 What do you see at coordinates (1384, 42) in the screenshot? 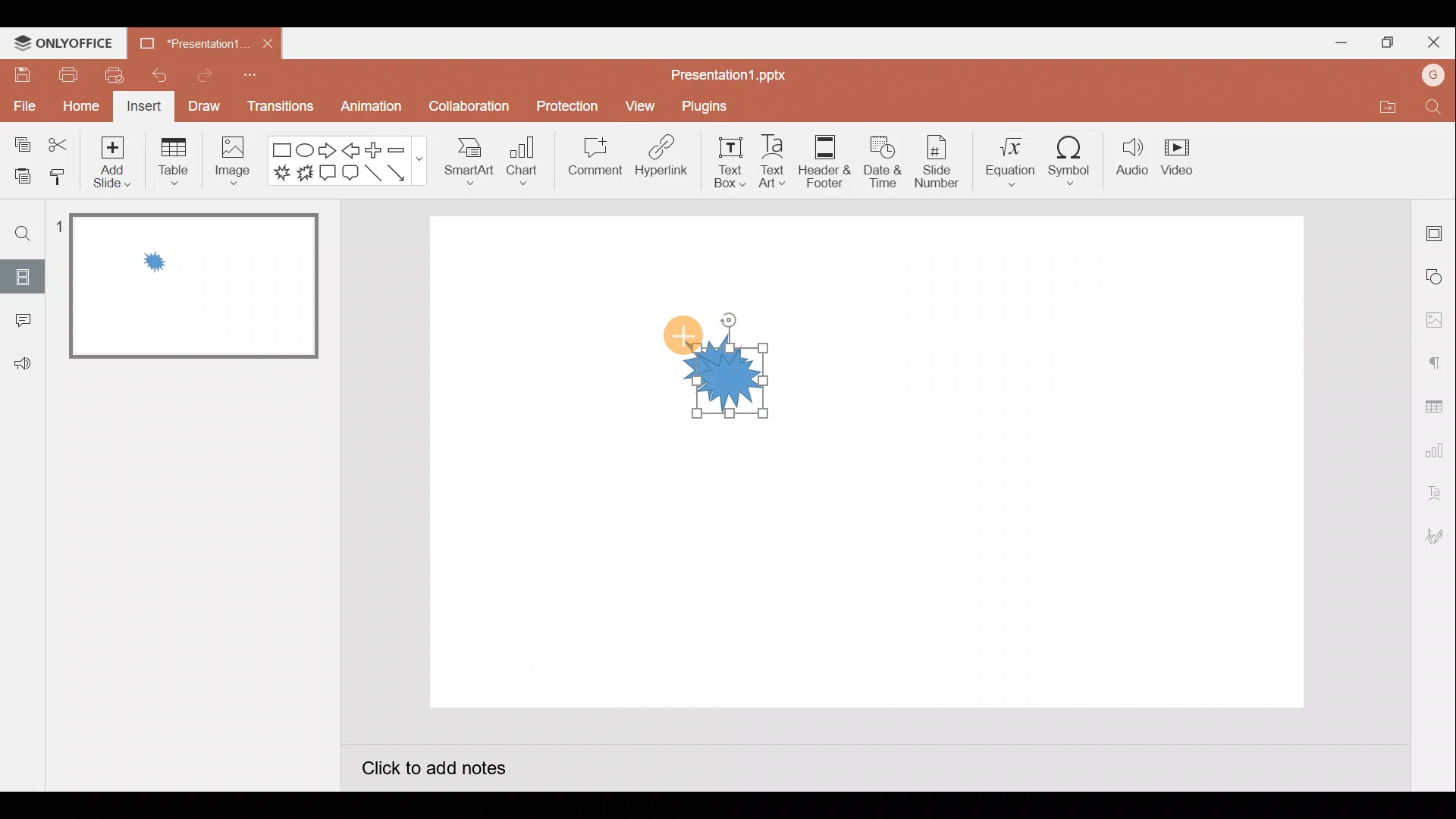
I see `Maximize` at bounding box center [1384, 42].